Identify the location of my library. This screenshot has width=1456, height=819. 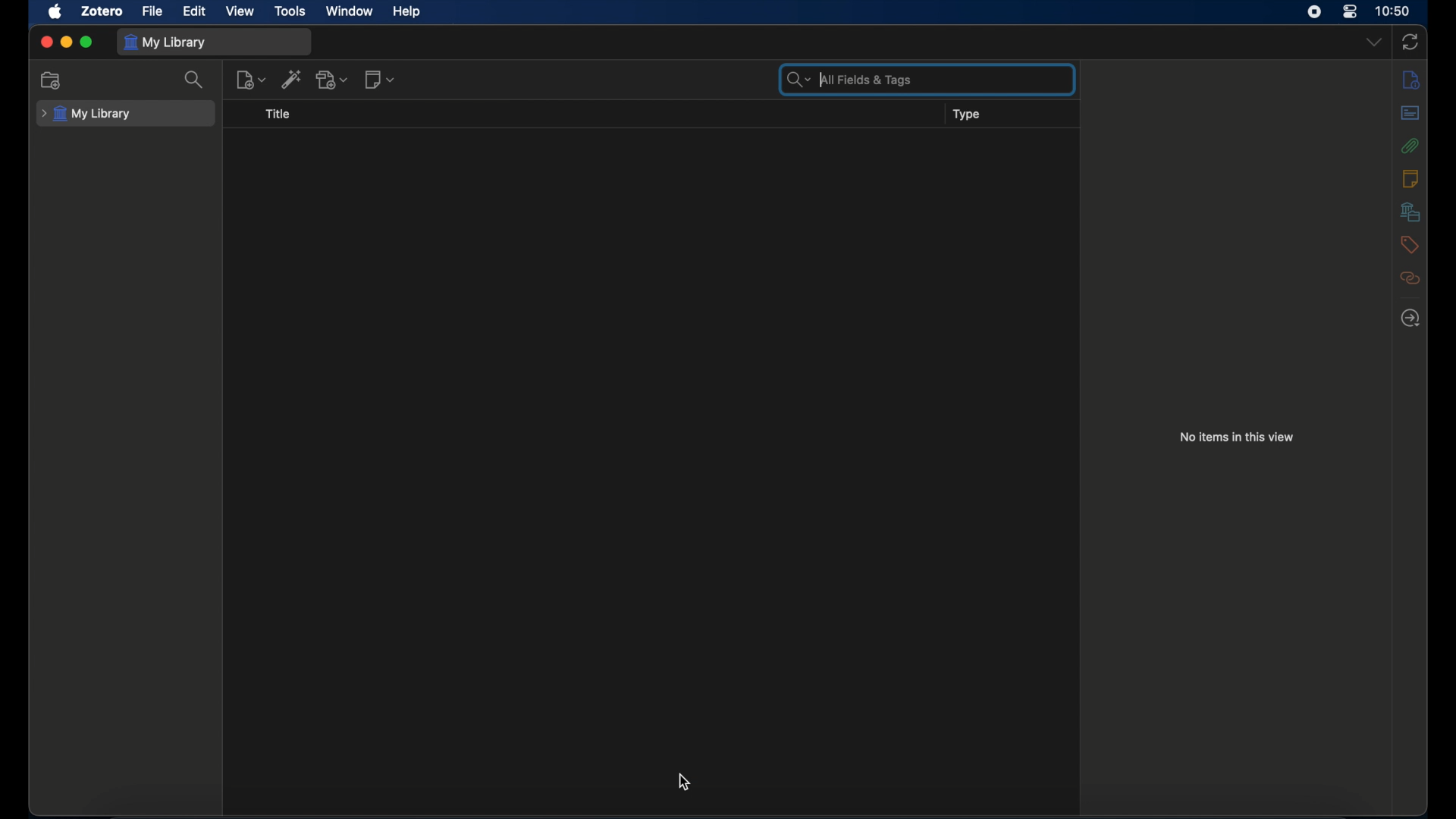
(165, 43).